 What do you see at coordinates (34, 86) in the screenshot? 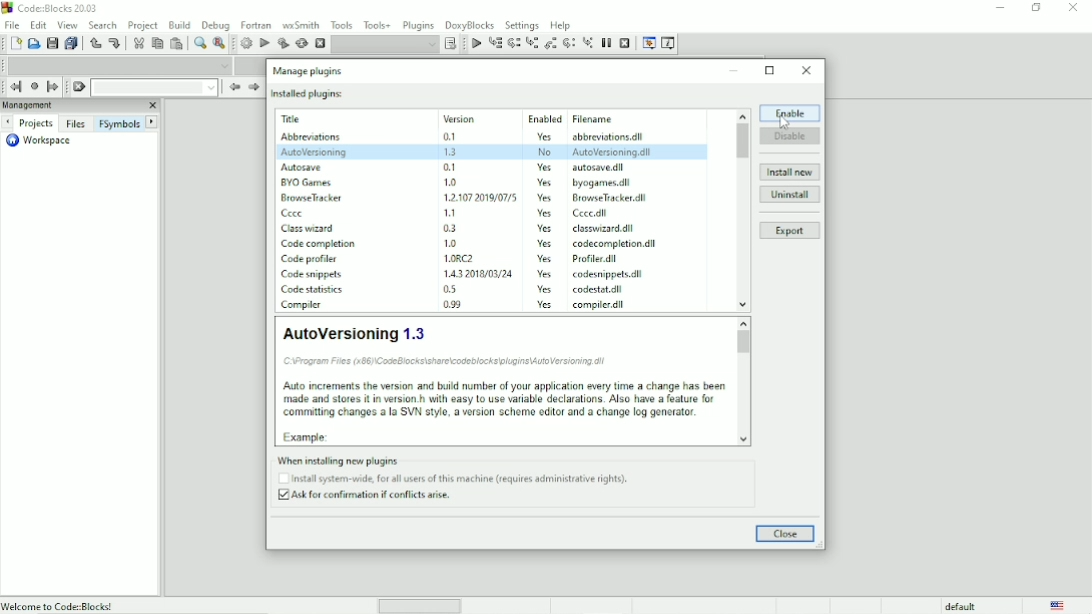
I see `Last jump` at bounding box center [34, 86].